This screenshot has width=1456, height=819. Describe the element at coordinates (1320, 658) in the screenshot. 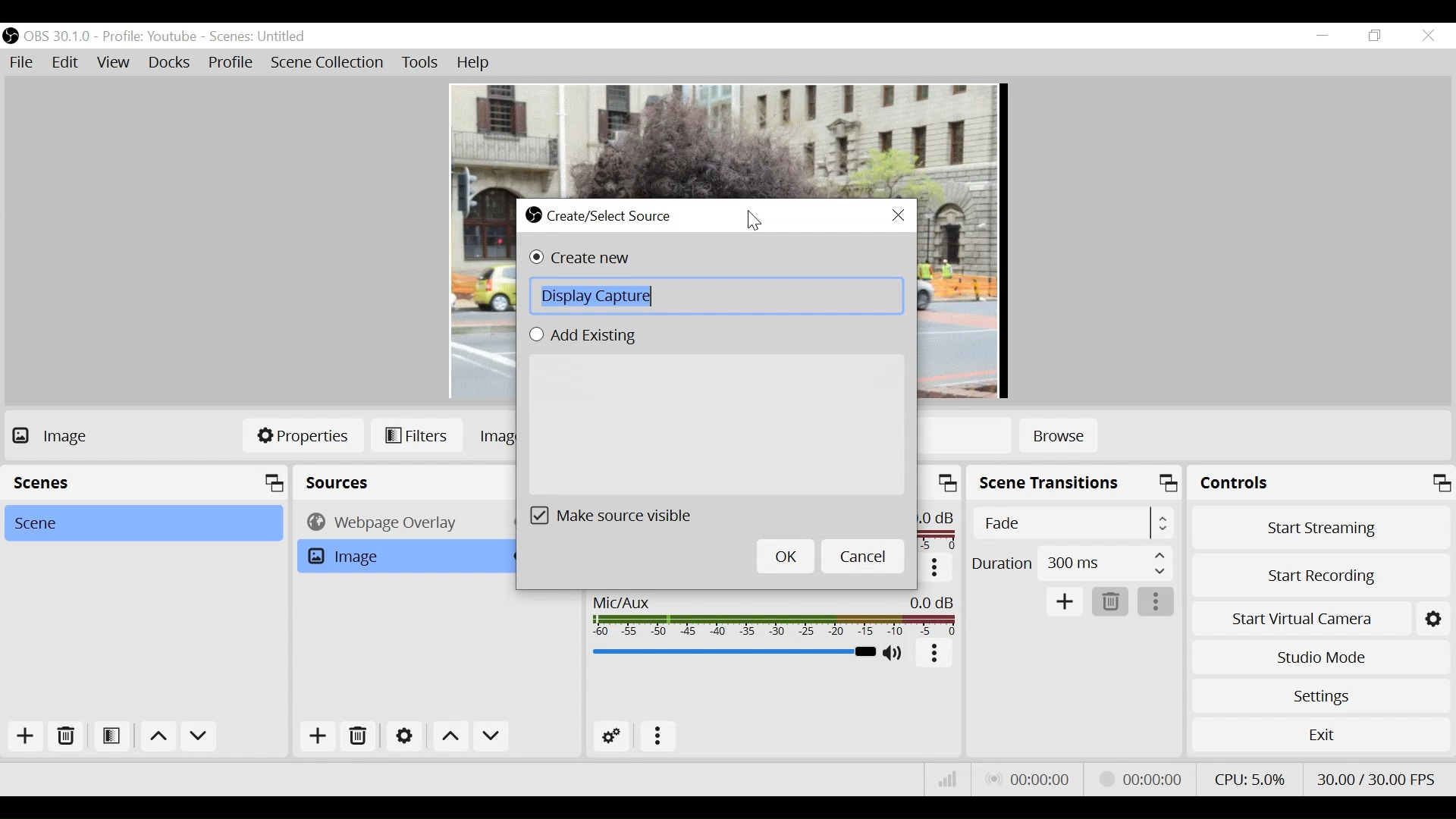

I see `Studio Mode` at that location.